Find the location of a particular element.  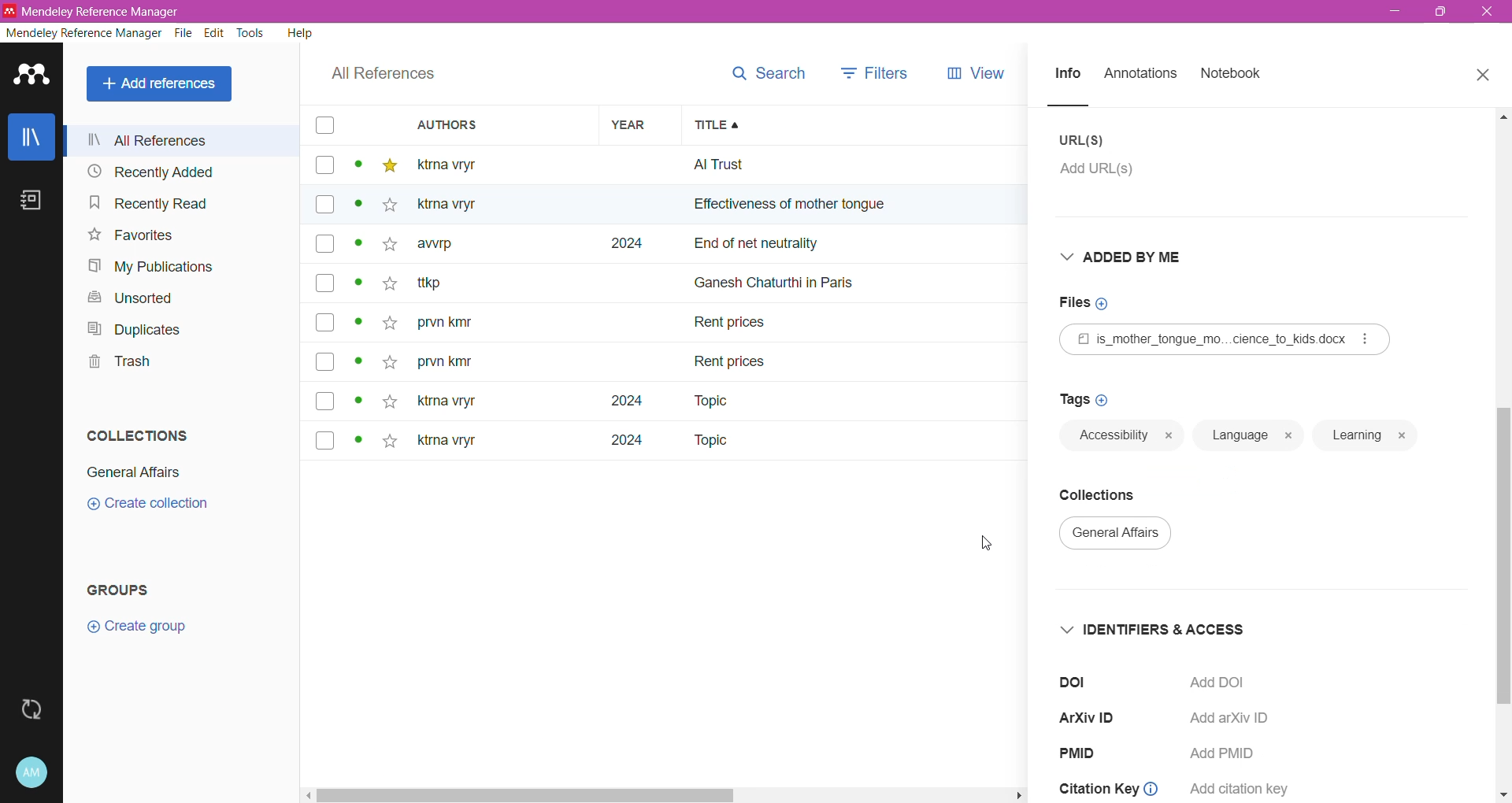

dot  is located at coordinates (354, 442).